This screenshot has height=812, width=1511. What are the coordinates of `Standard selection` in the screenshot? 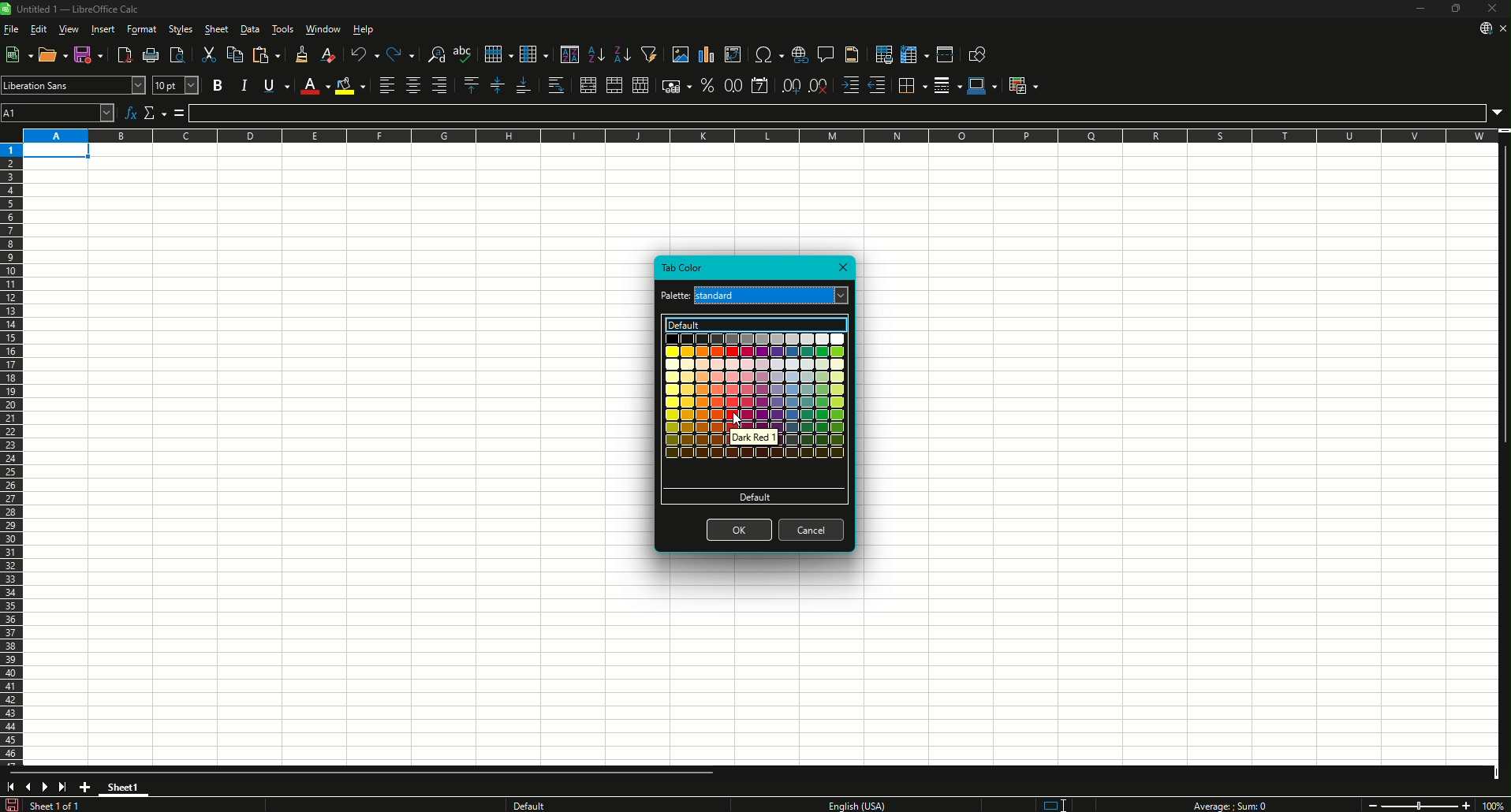 It's located at (1054, 805).